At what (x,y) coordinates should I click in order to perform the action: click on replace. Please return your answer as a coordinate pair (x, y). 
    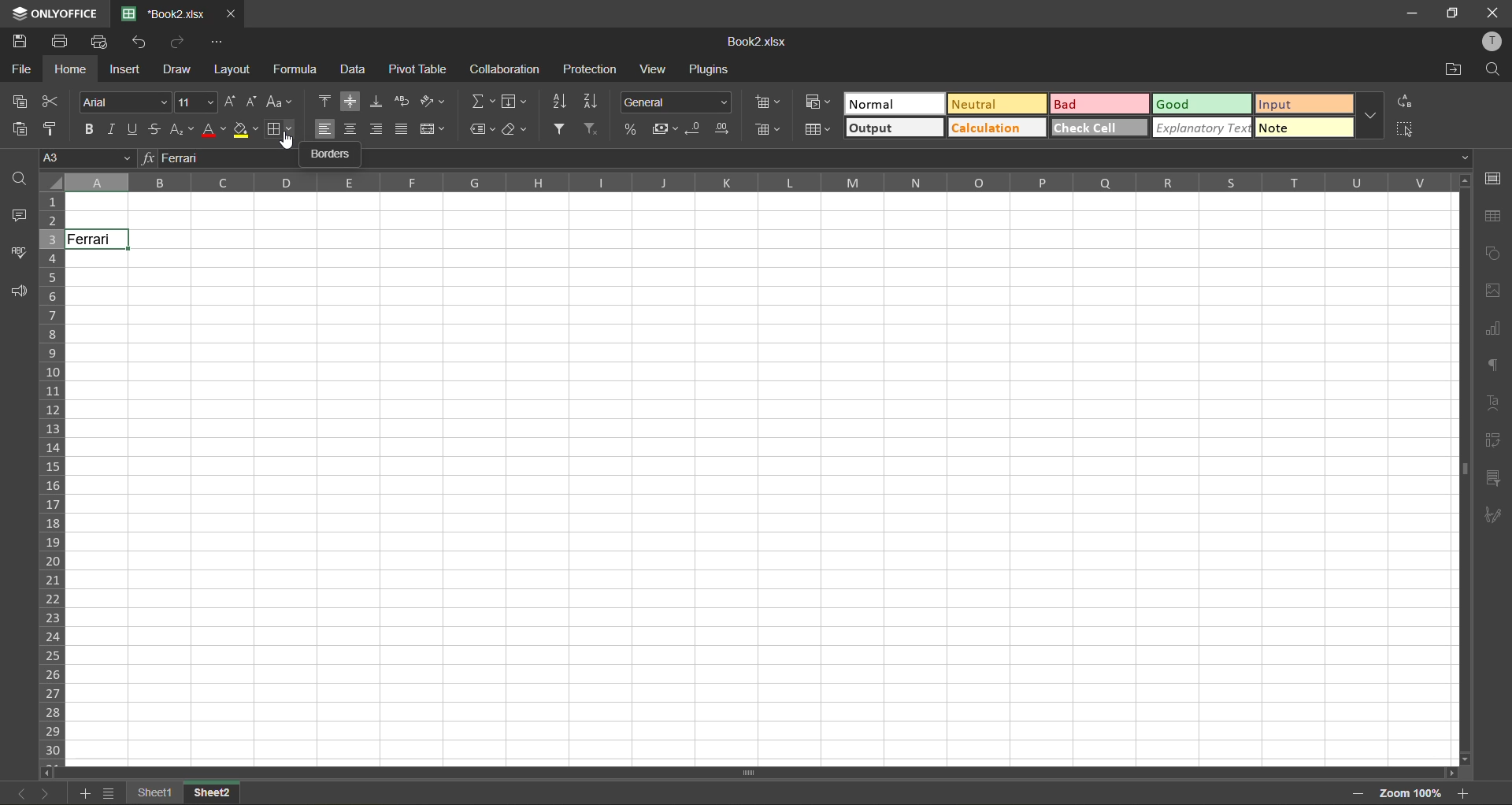
    Looking at the image, I should click on (1404, 102).